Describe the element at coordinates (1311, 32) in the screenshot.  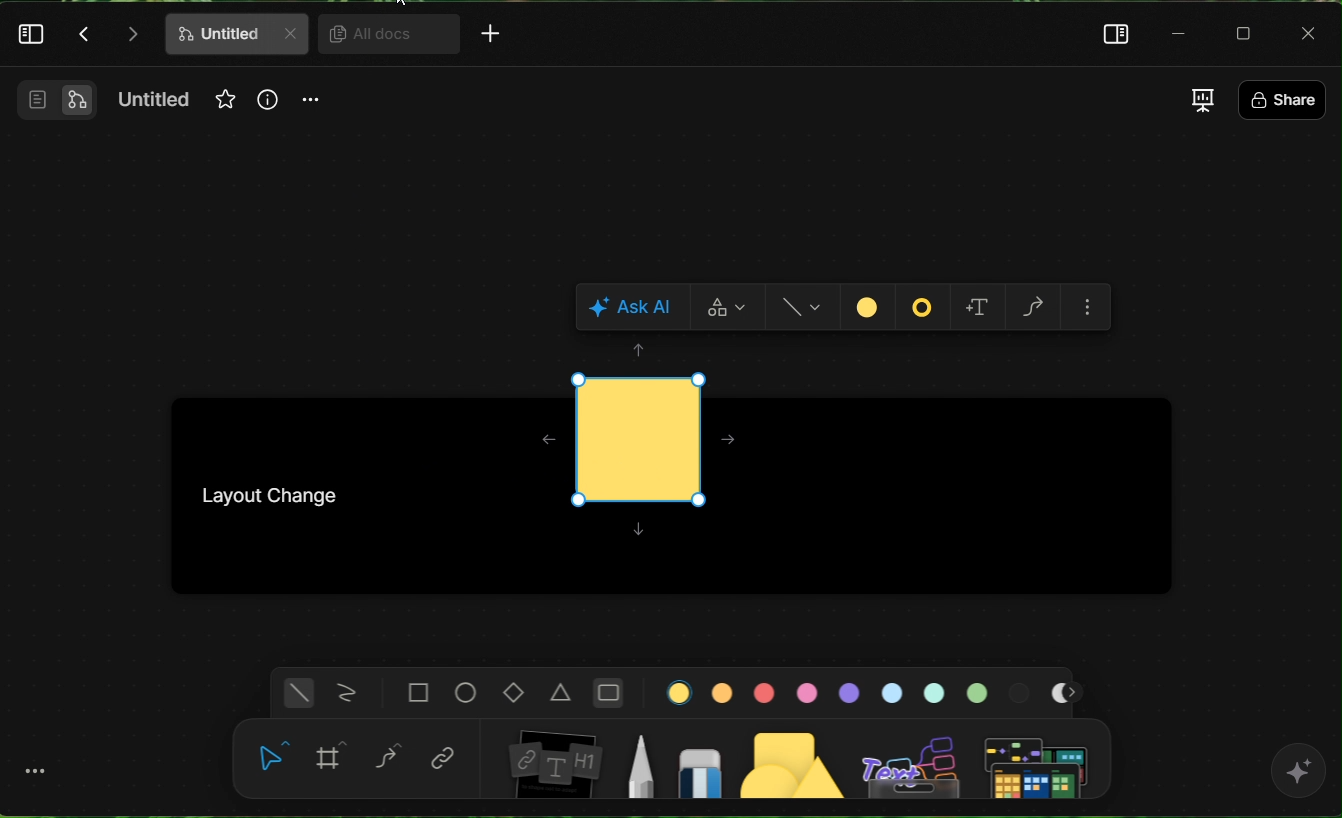
I see `Close` at that location.